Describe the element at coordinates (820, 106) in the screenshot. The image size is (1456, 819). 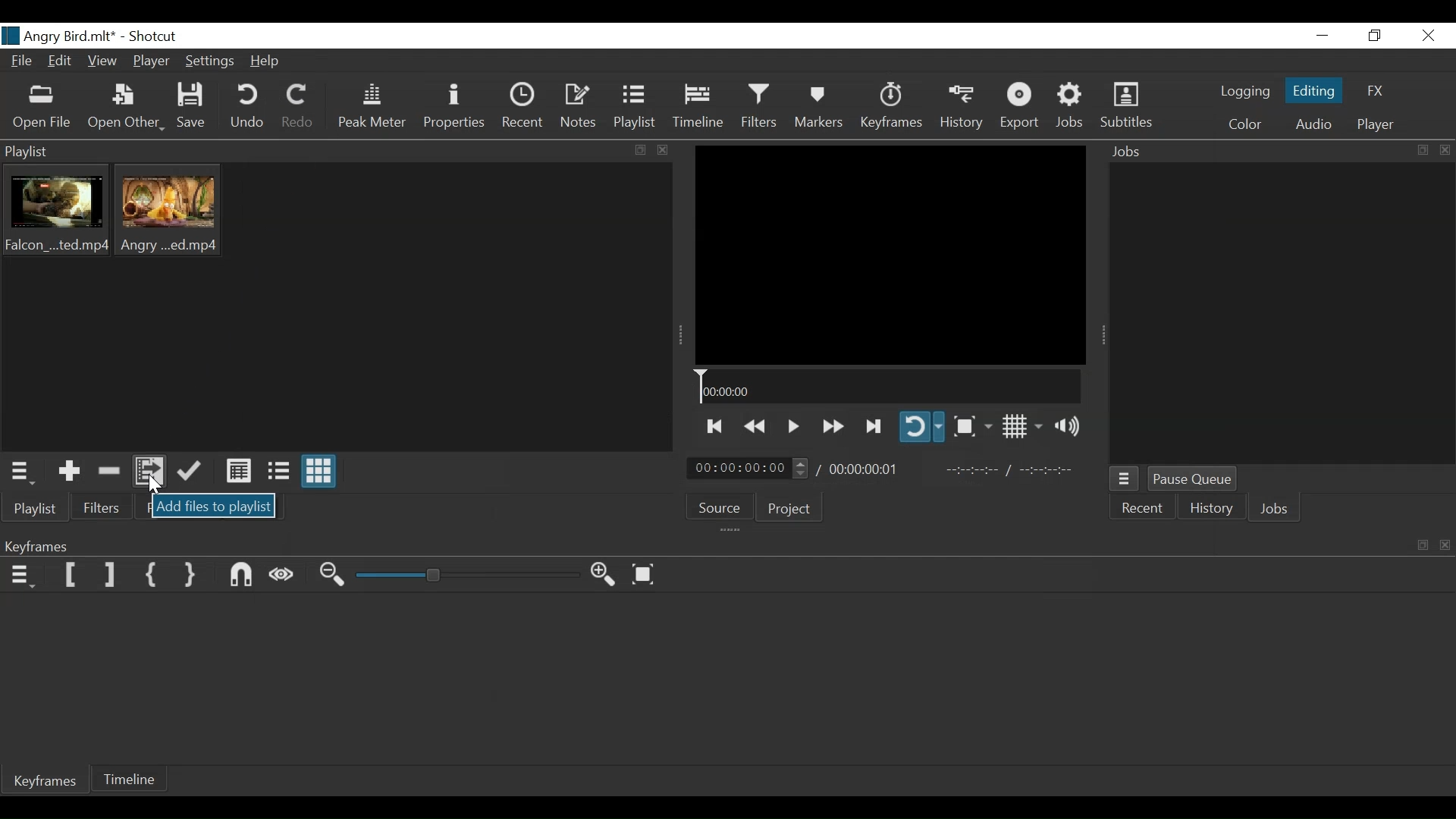
I see `Markers` at that location.